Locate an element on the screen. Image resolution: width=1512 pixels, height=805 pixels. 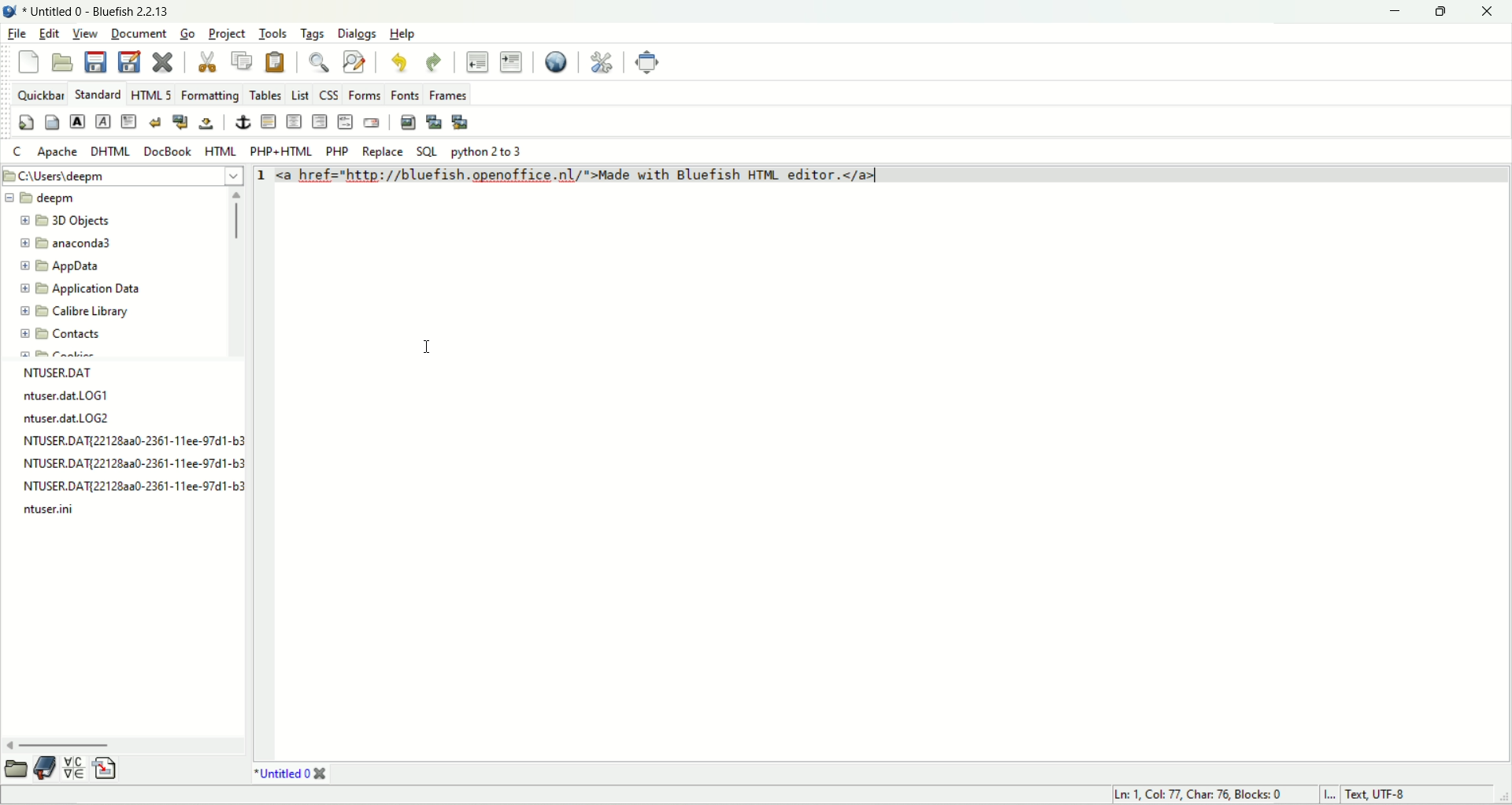
frames is located at coordinates (447, 95).